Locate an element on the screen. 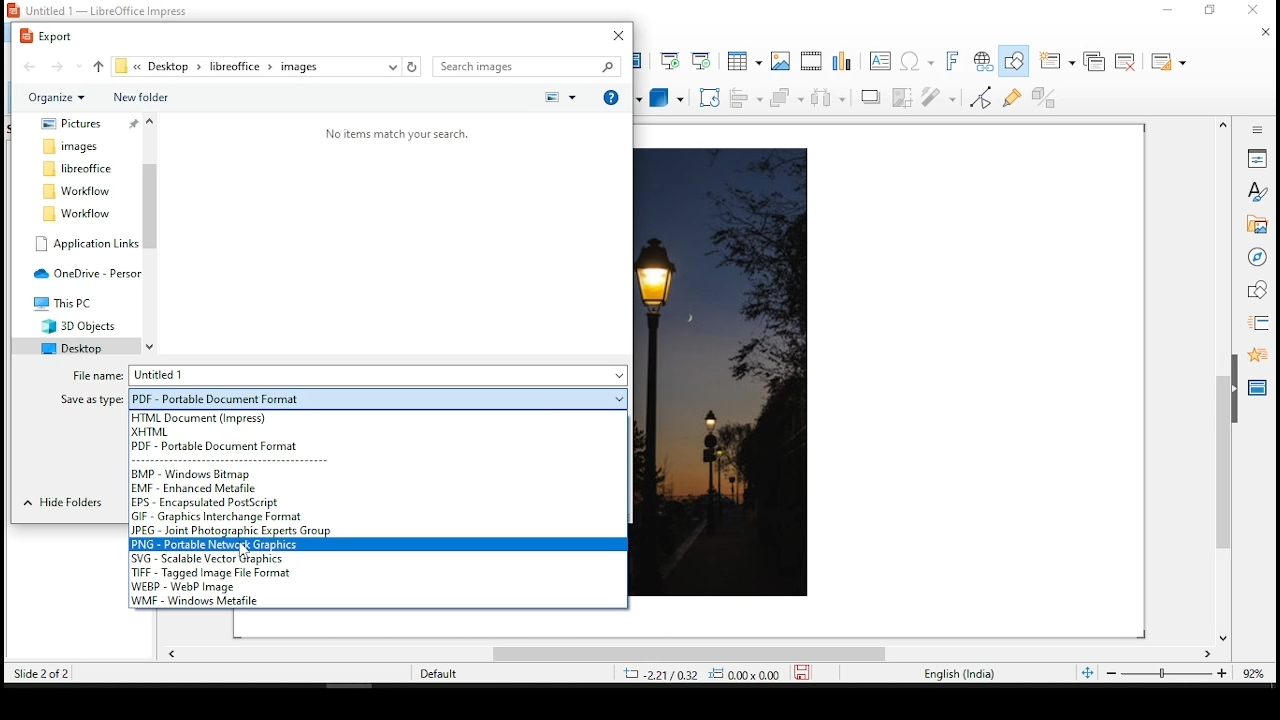 The width and height of the screenshot is (1280, 720). folder is located at coordinates (80, 169).